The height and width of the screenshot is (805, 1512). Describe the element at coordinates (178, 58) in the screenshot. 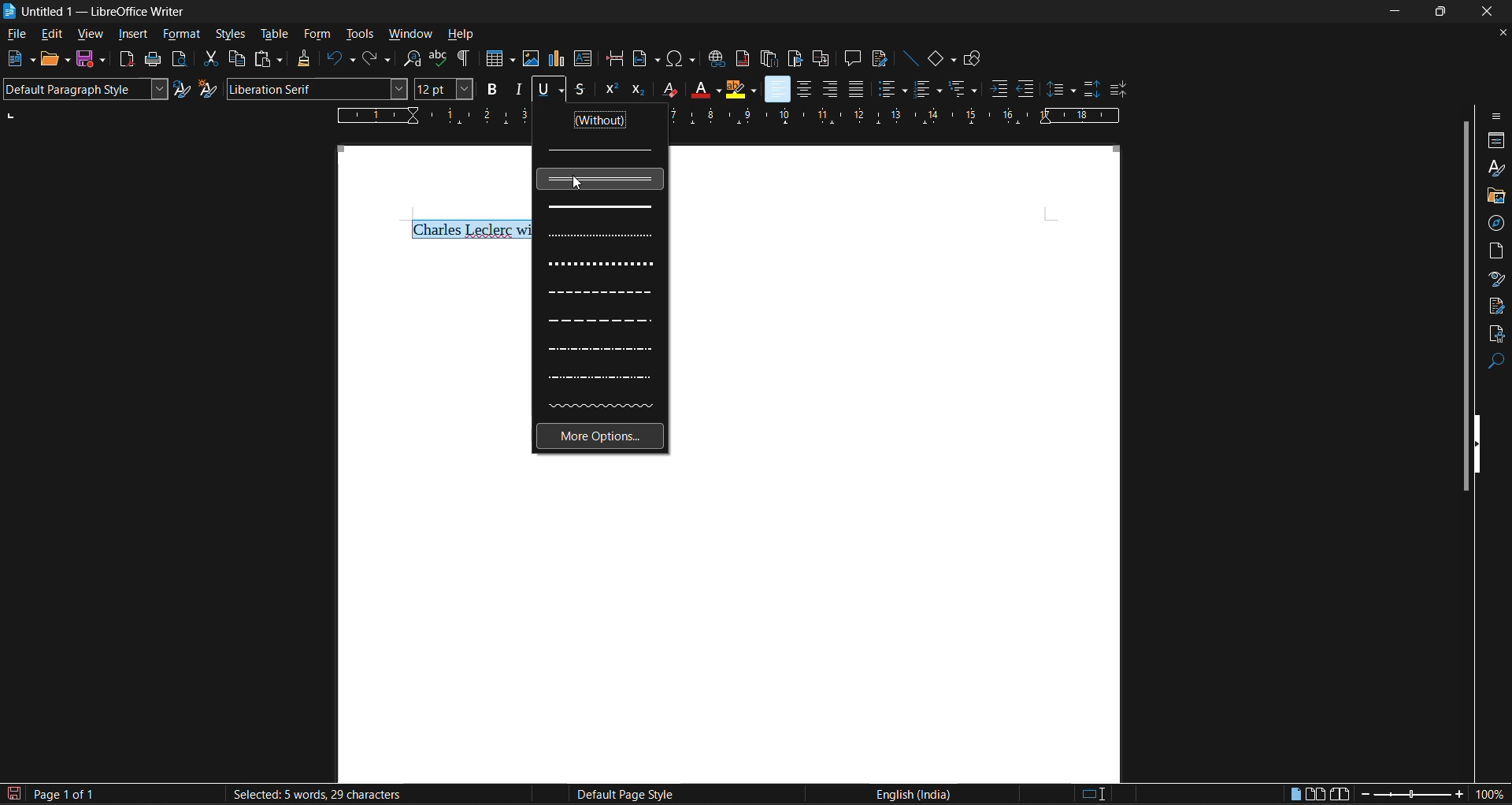

I see `toggle print preview` at that location.